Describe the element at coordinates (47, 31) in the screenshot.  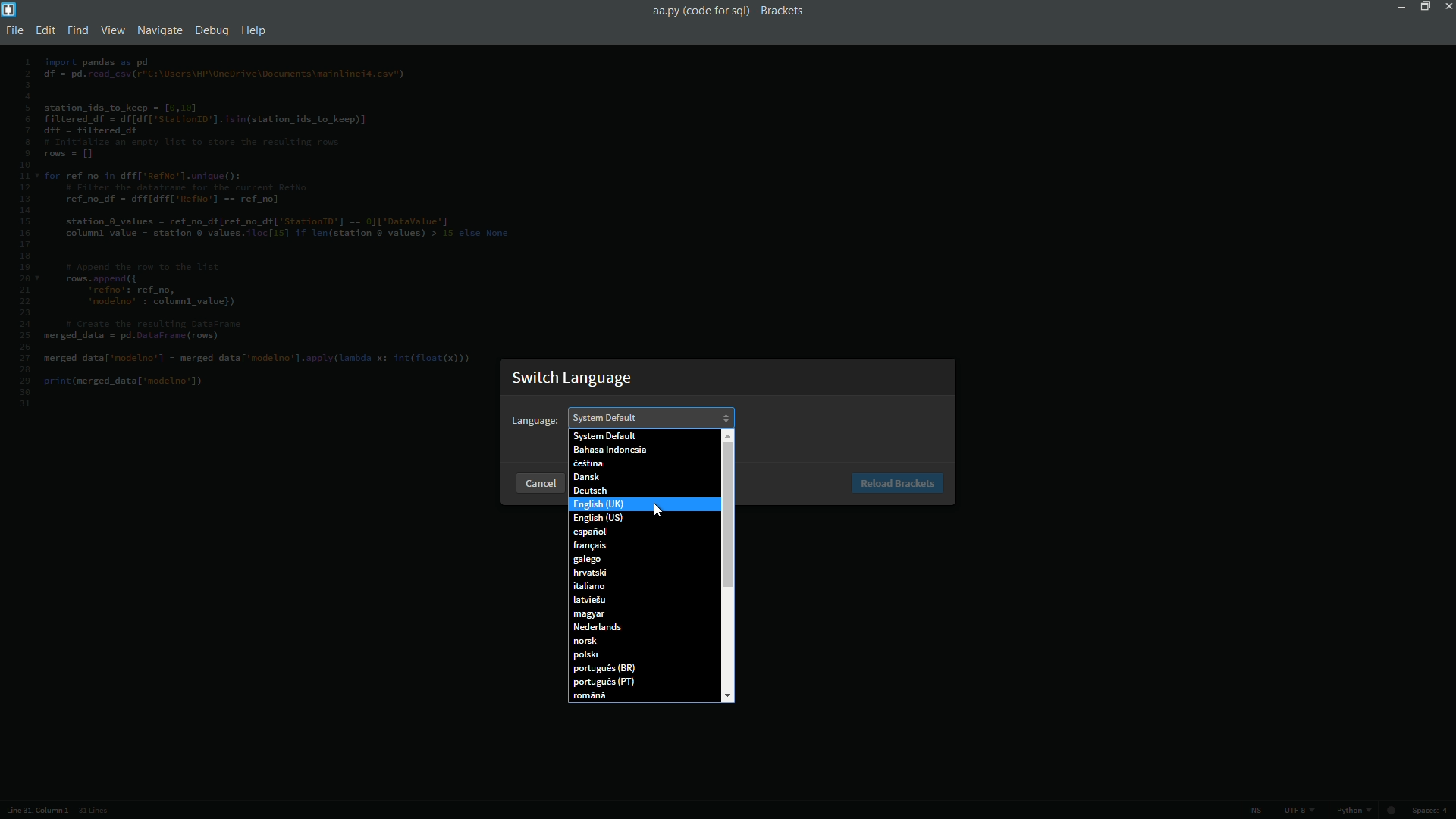
I see `edit menu` at that location.